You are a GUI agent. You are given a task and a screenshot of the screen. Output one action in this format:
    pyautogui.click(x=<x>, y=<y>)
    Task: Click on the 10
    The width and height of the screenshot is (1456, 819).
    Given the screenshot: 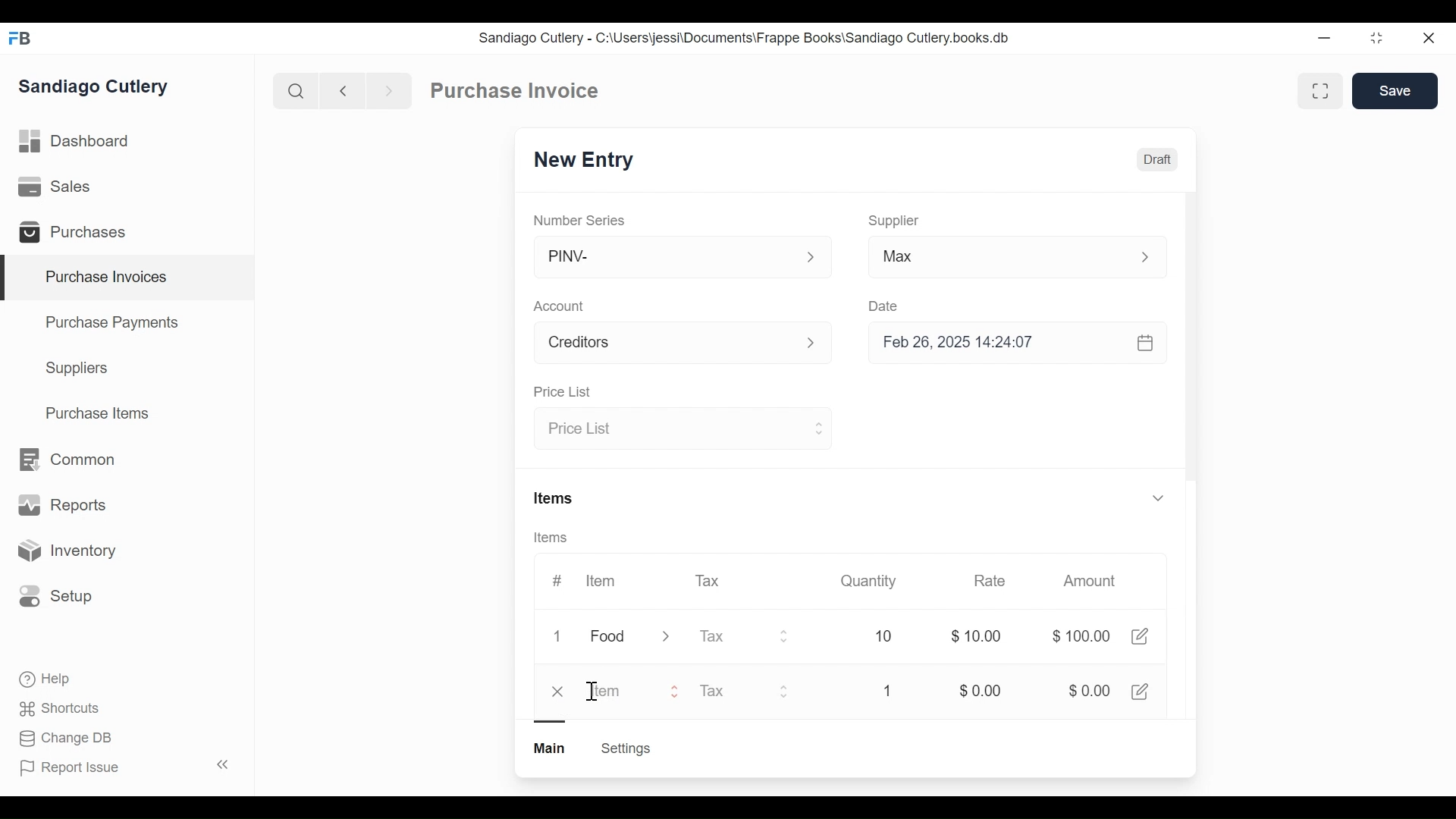 What is the action you would take?
    pyautogui.click(x=866, y=636)
    